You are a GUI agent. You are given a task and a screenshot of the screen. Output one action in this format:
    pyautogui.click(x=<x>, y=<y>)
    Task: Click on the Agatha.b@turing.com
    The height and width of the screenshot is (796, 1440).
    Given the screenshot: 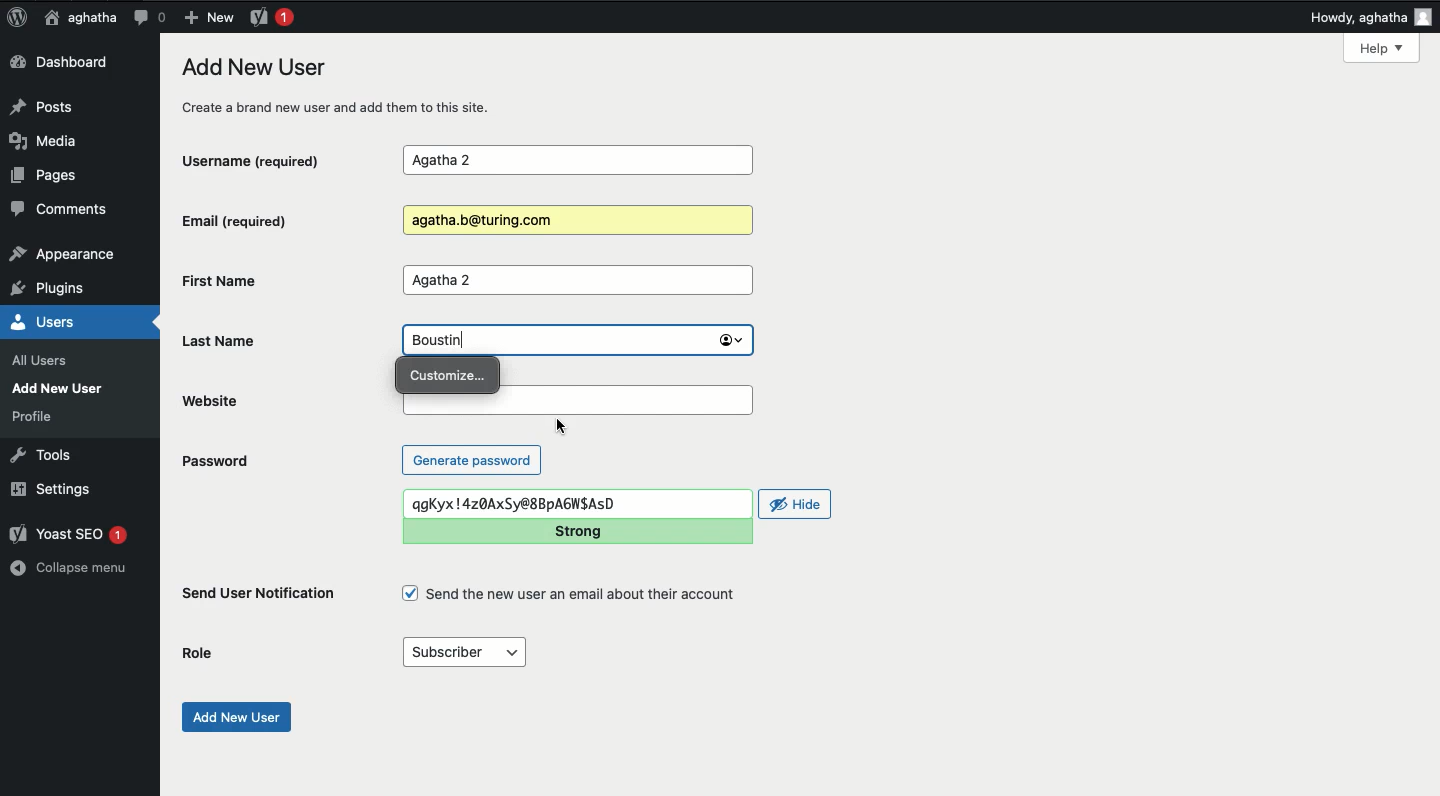 What is the action you would take?
    pyautogui.click(x=574, y=221)
    